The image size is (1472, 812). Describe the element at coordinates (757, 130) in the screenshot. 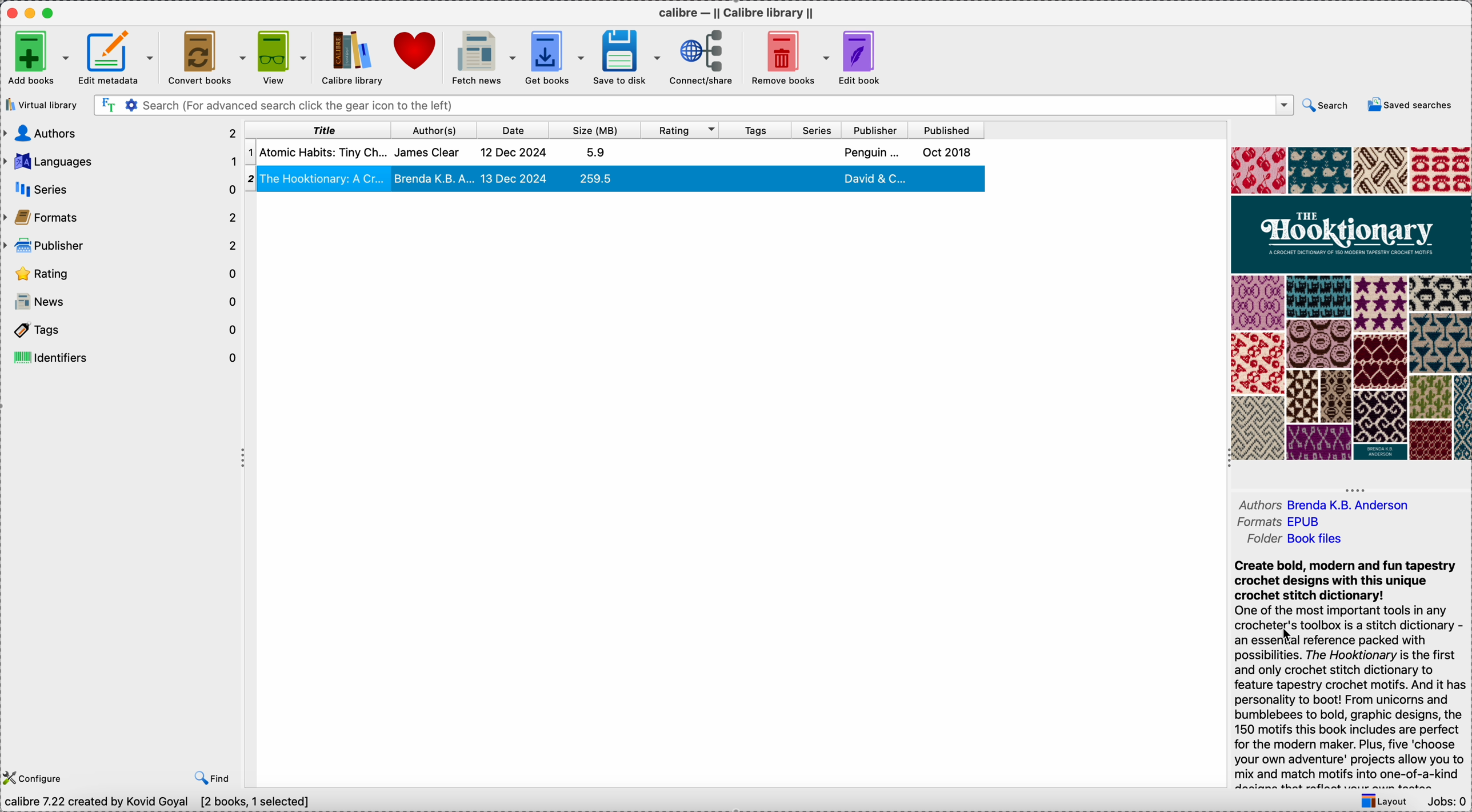

I see `tags` at that location.